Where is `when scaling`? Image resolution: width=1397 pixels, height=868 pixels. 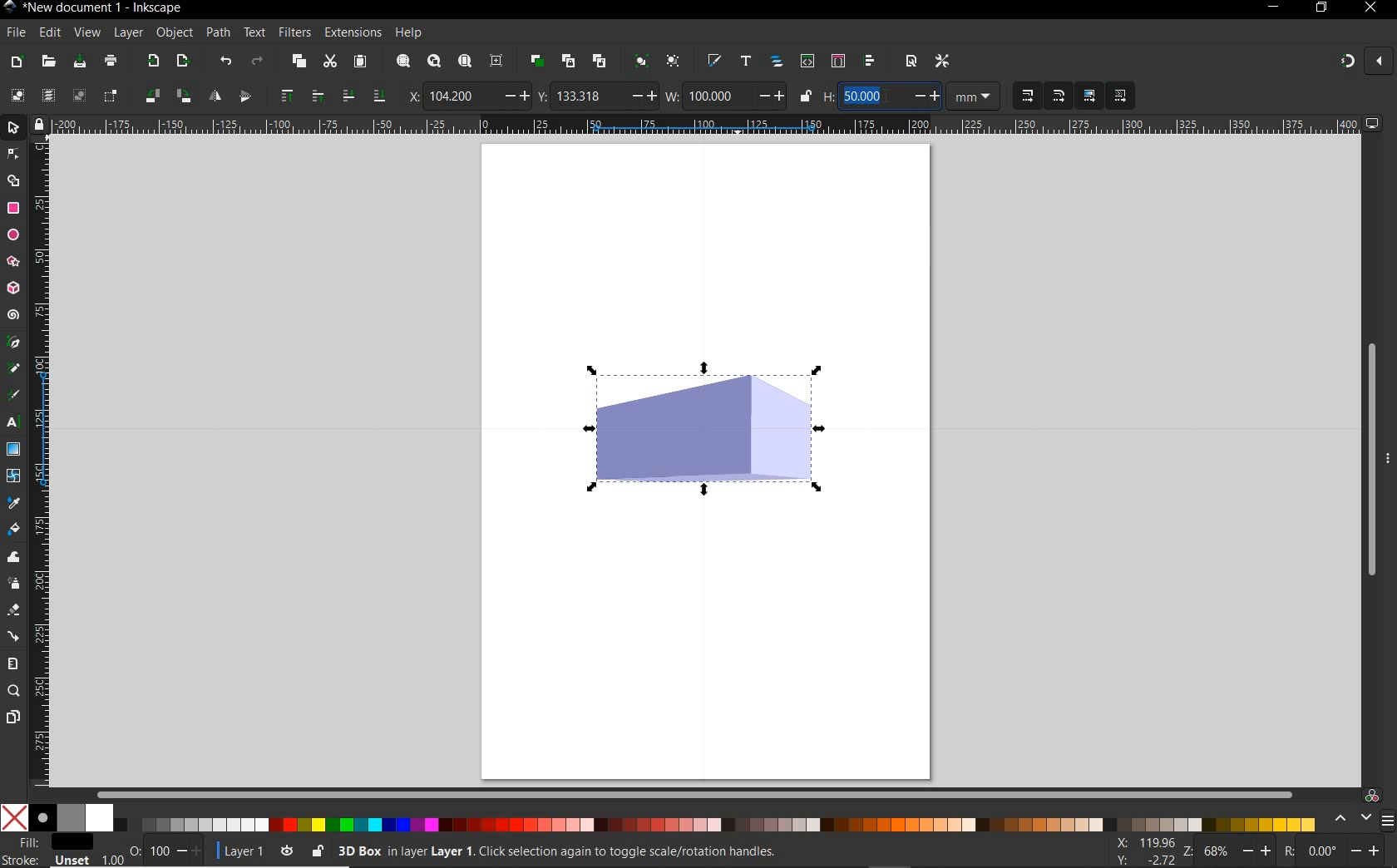 when scaling is located at coordinates (1027, 96).